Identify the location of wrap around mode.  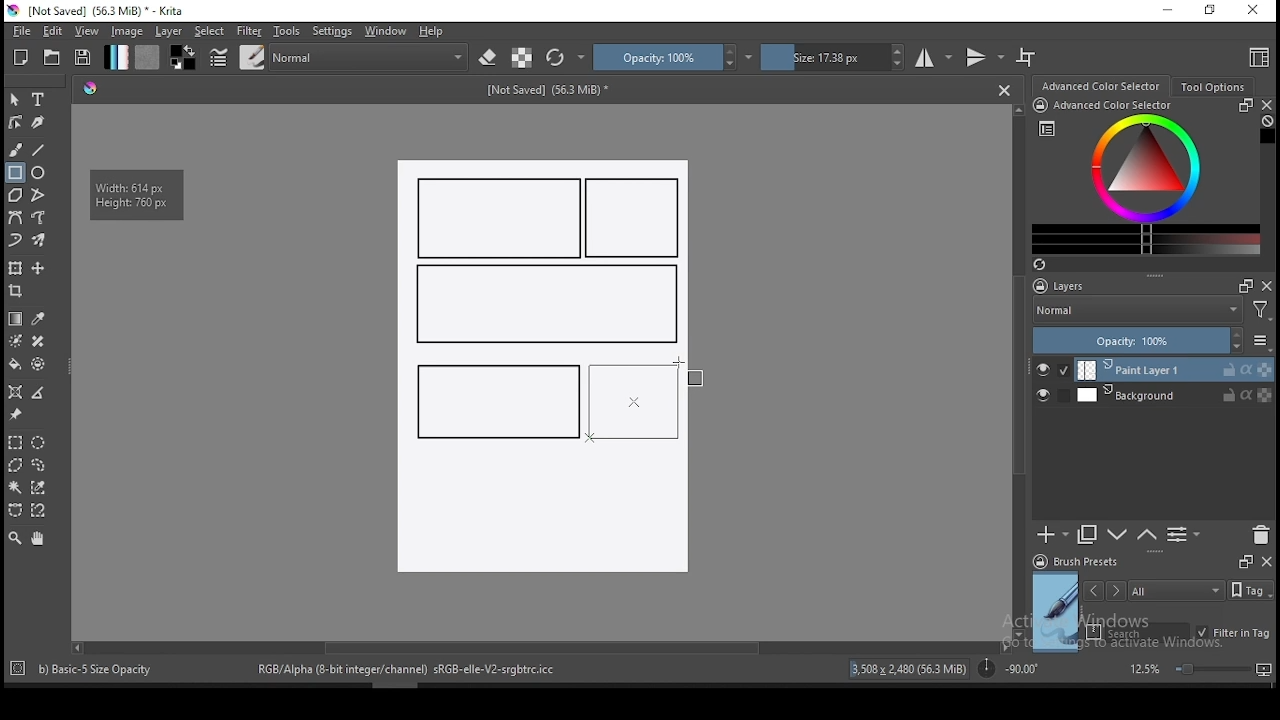
(1027, 57).